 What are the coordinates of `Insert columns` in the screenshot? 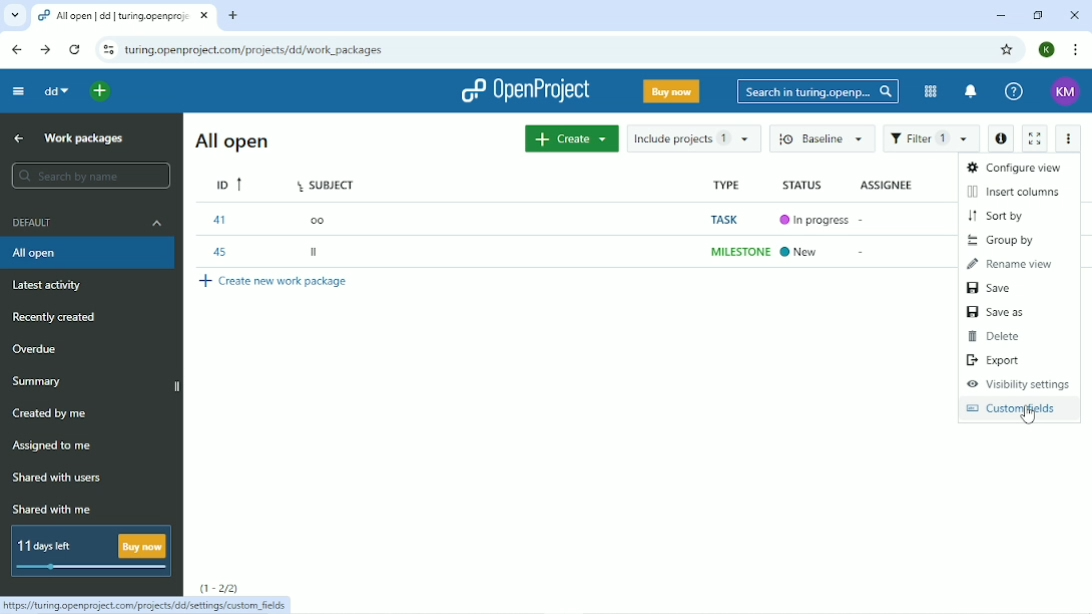 It's located at (1017, 191).